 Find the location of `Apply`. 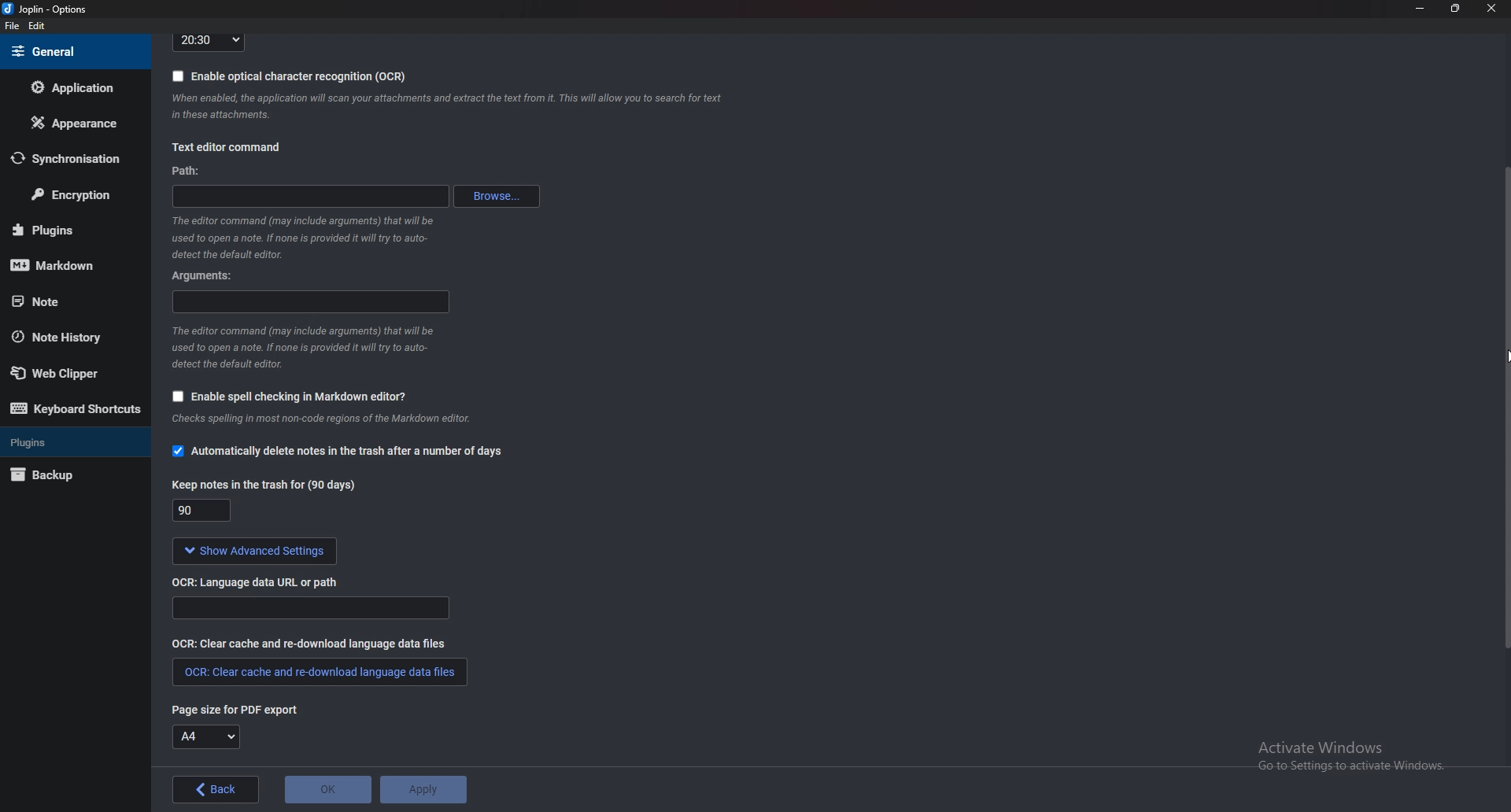

Apply is located at coordinates (422, 790).